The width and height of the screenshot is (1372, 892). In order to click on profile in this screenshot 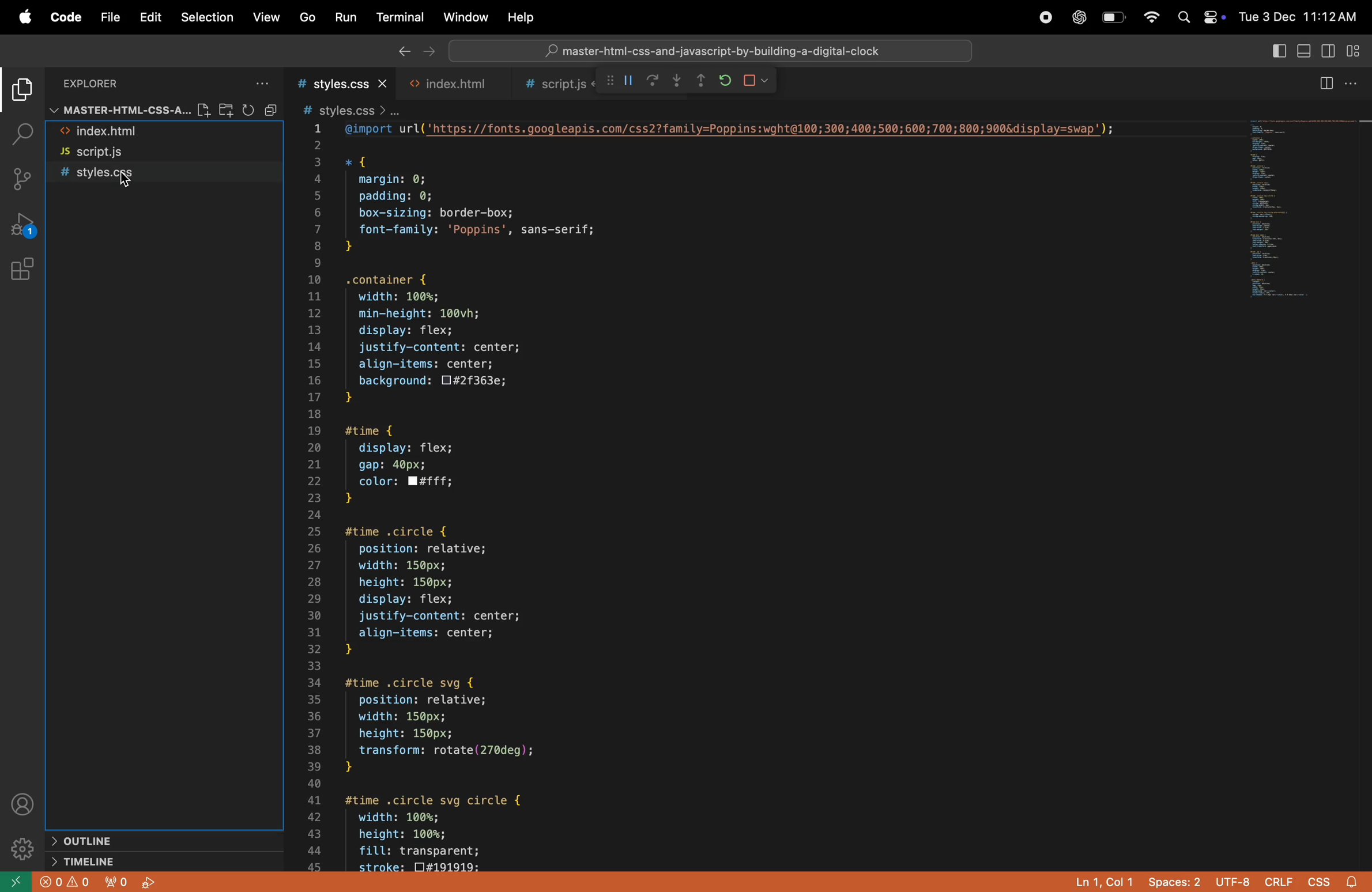, I will do `click(24, 806)`.